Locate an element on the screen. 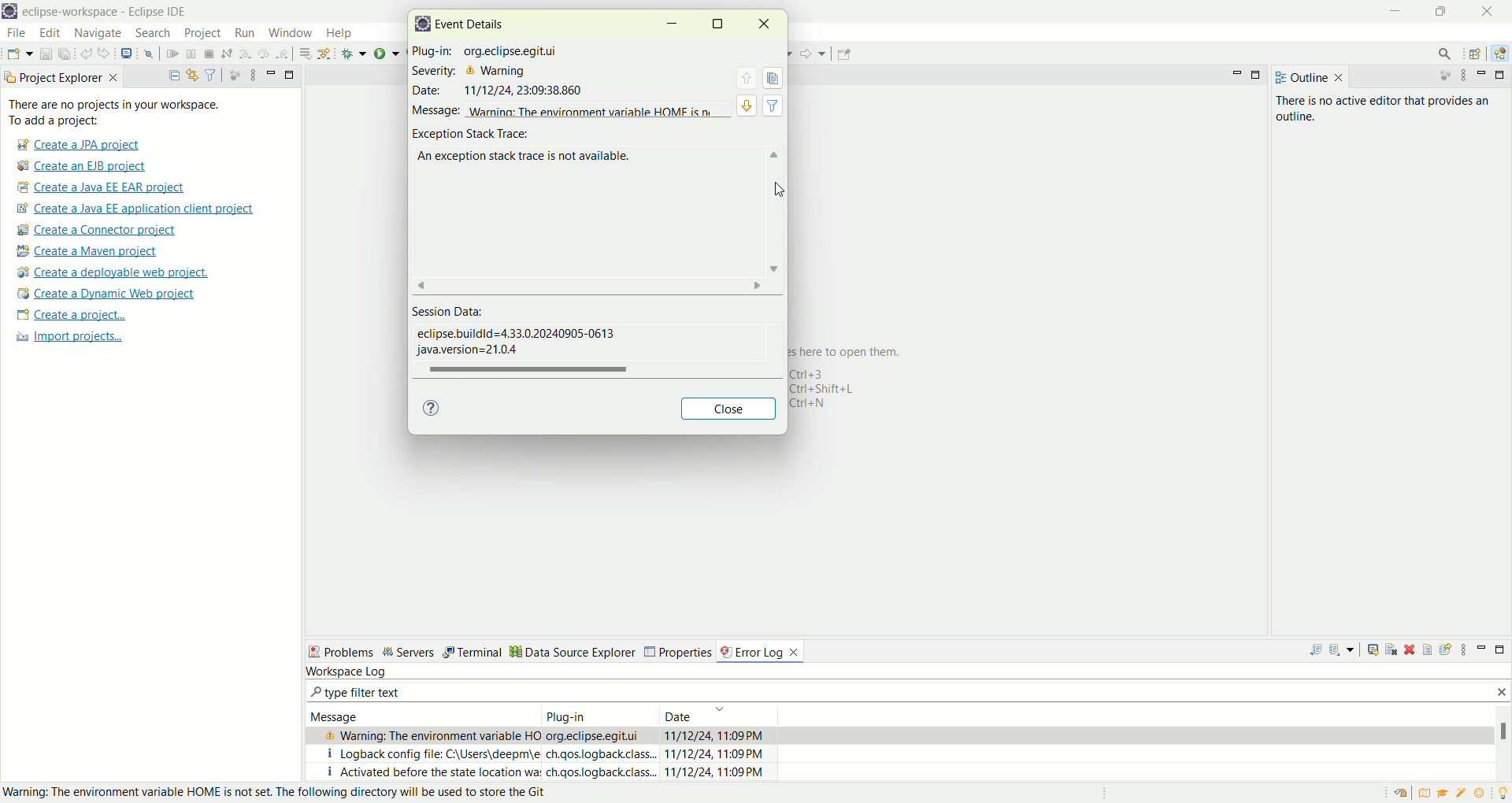  open perspective is located at coordinates (1473, 52).